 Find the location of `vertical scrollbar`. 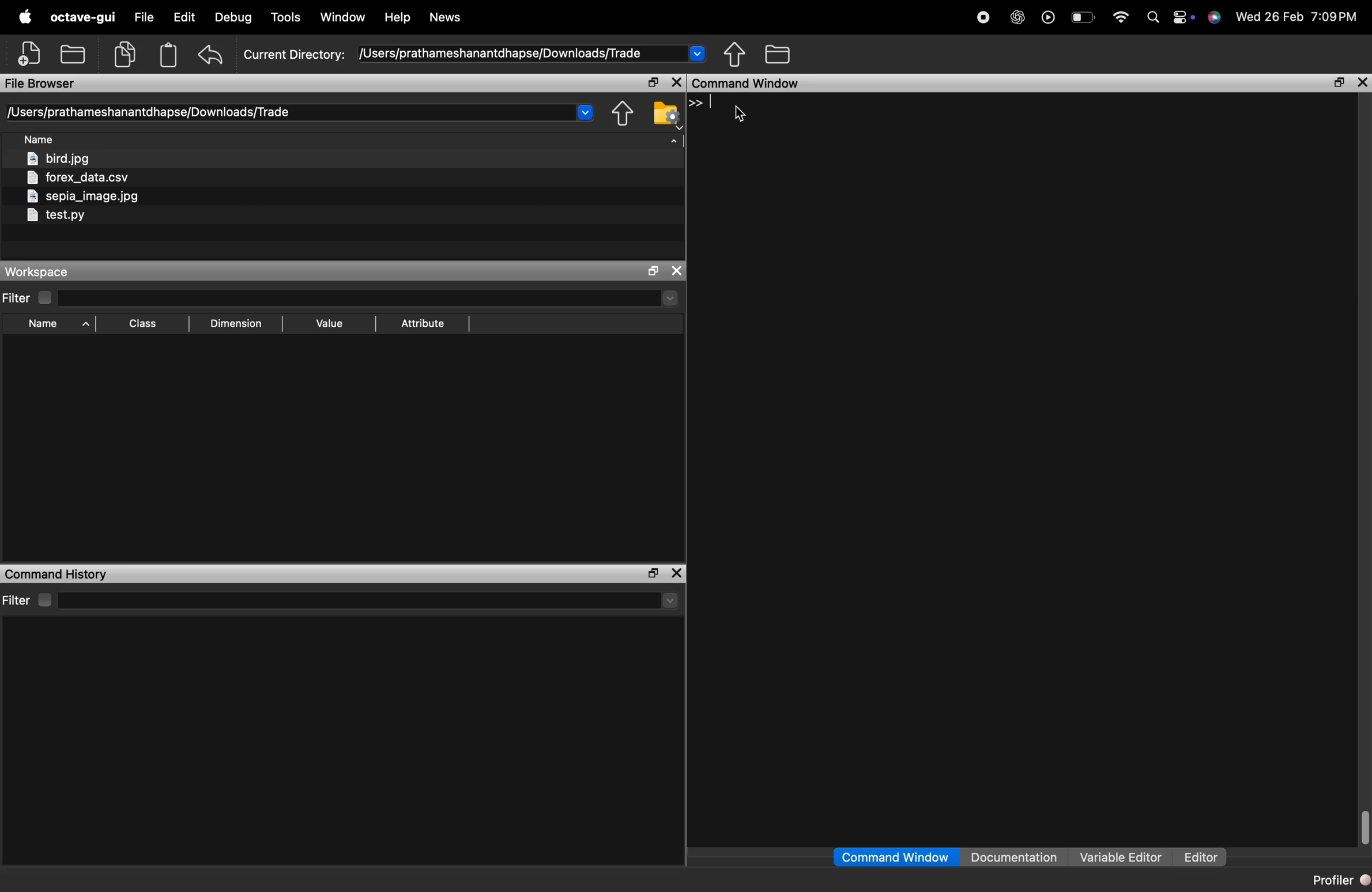

vertical scrollbar is located at coordinates (1363, 826).